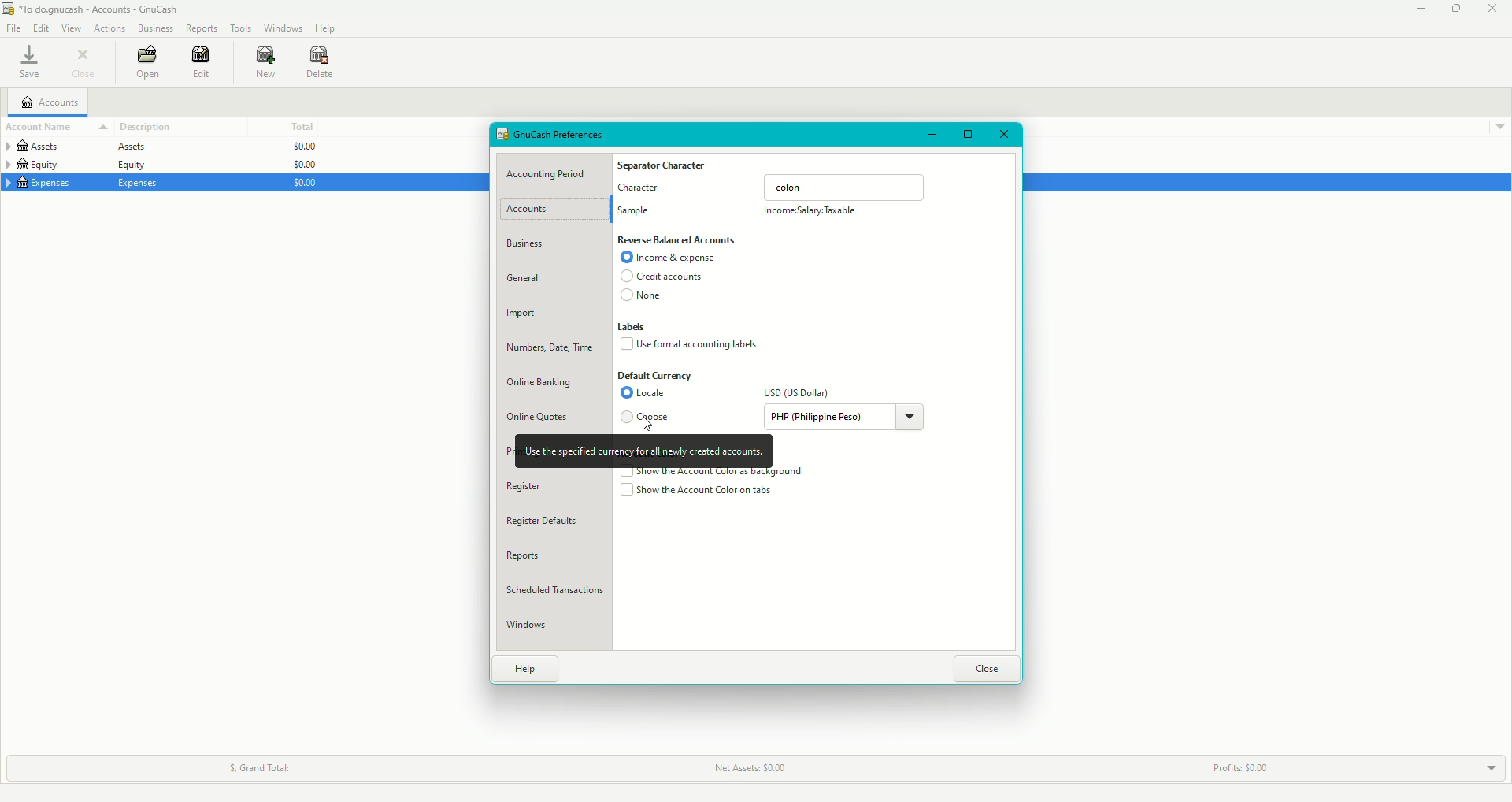 Image resolution: width=1512 pixels, height=802 pixels. I want to click on Help, so click(527, 667).